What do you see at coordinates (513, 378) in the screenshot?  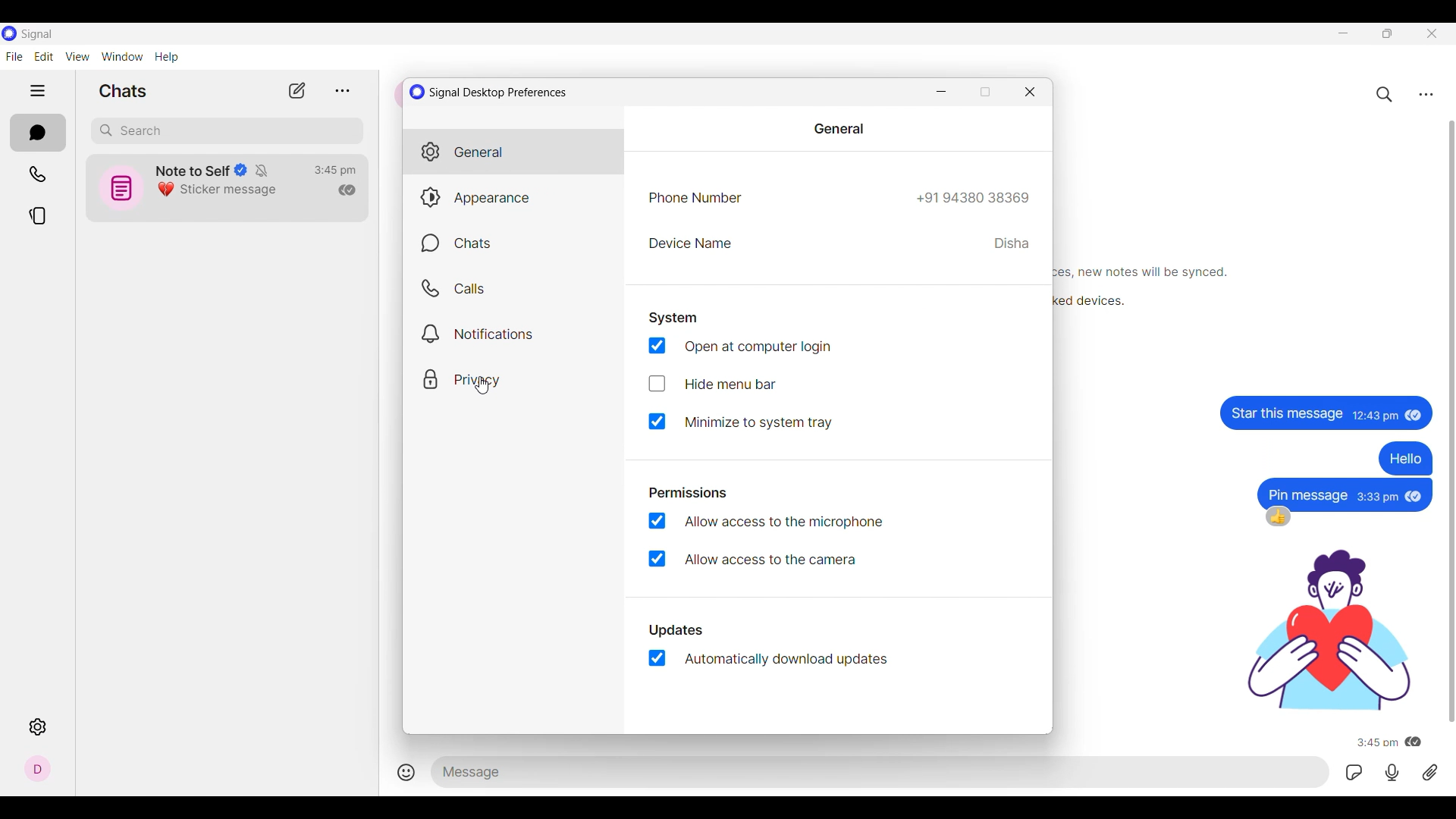 I see `Privacy settings` at bounding box center [513, 378].